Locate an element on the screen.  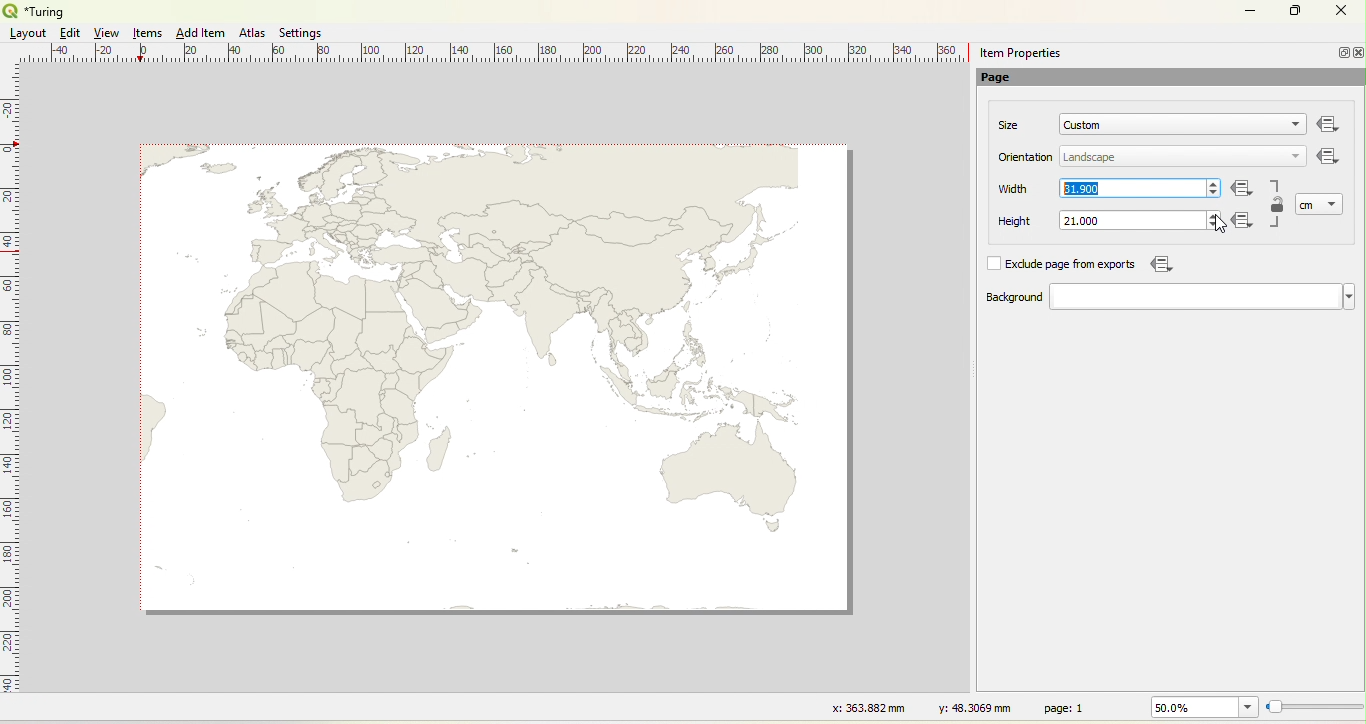
cm is located at coordinates (1308, 205).